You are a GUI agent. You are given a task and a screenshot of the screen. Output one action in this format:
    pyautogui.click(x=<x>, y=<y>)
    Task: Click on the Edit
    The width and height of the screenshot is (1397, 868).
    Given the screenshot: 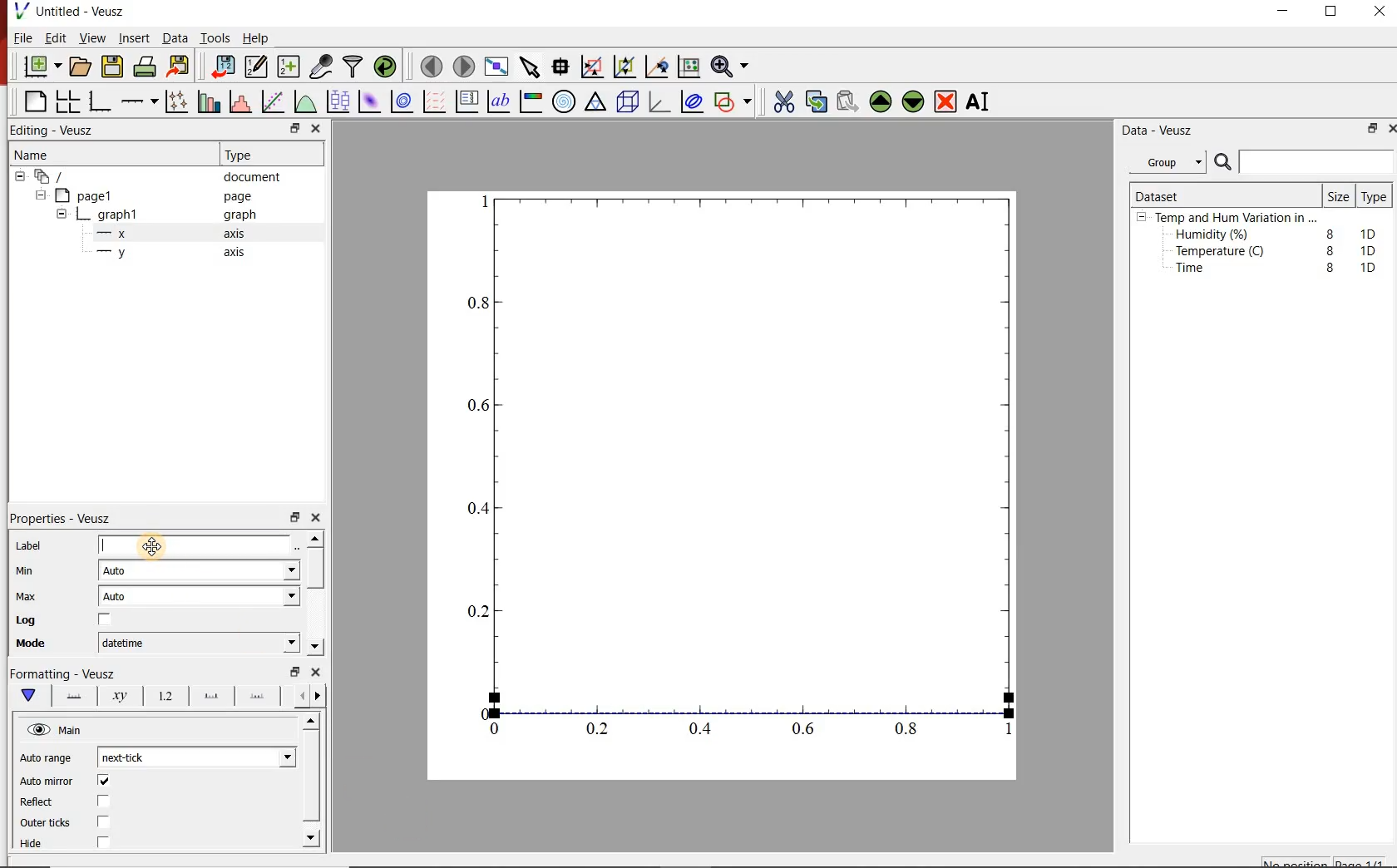 What is the action you would take?
    pyautogui.click(x=56, y=40)
    